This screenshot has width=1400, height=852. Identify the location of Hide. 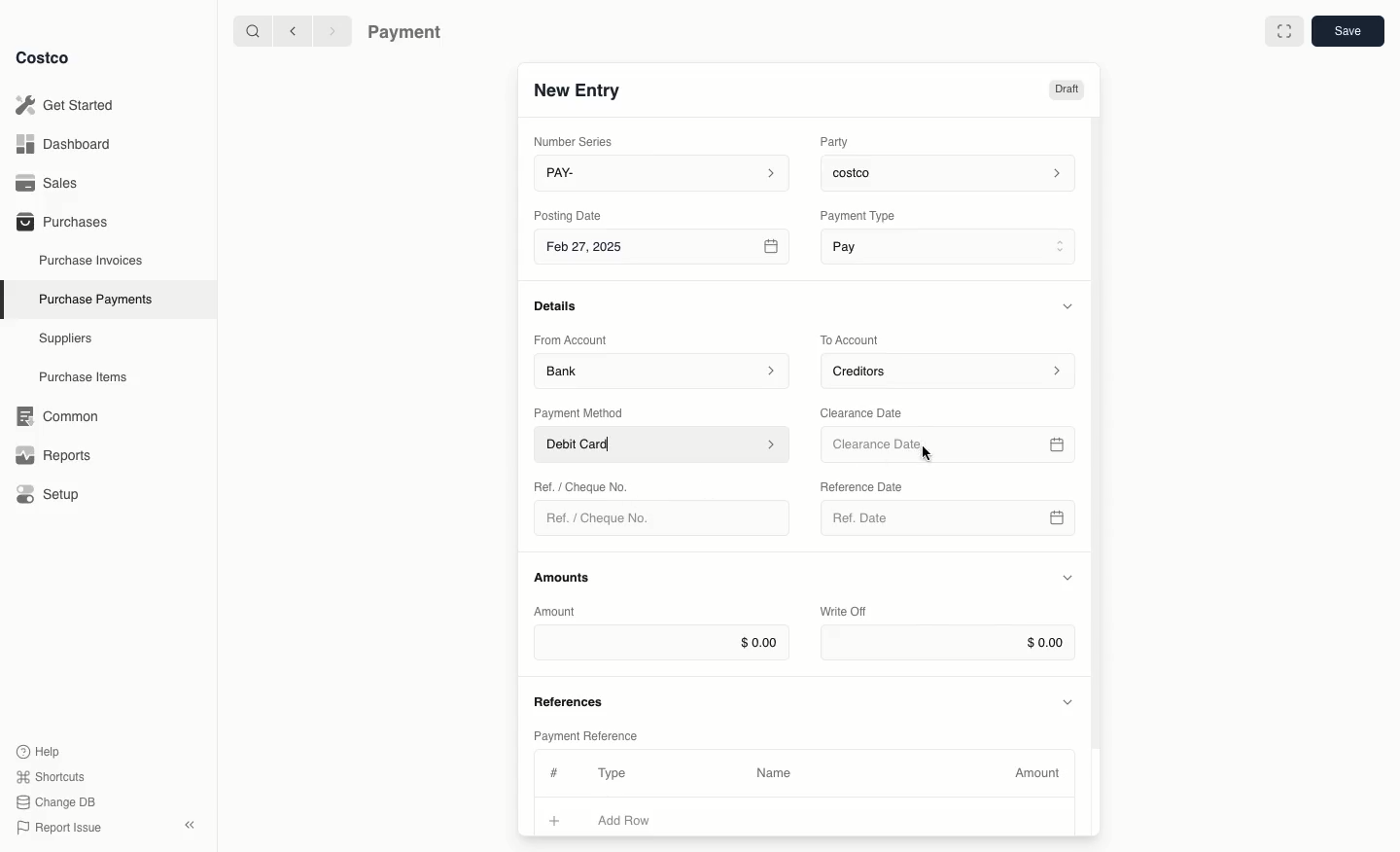
(1067, 579).